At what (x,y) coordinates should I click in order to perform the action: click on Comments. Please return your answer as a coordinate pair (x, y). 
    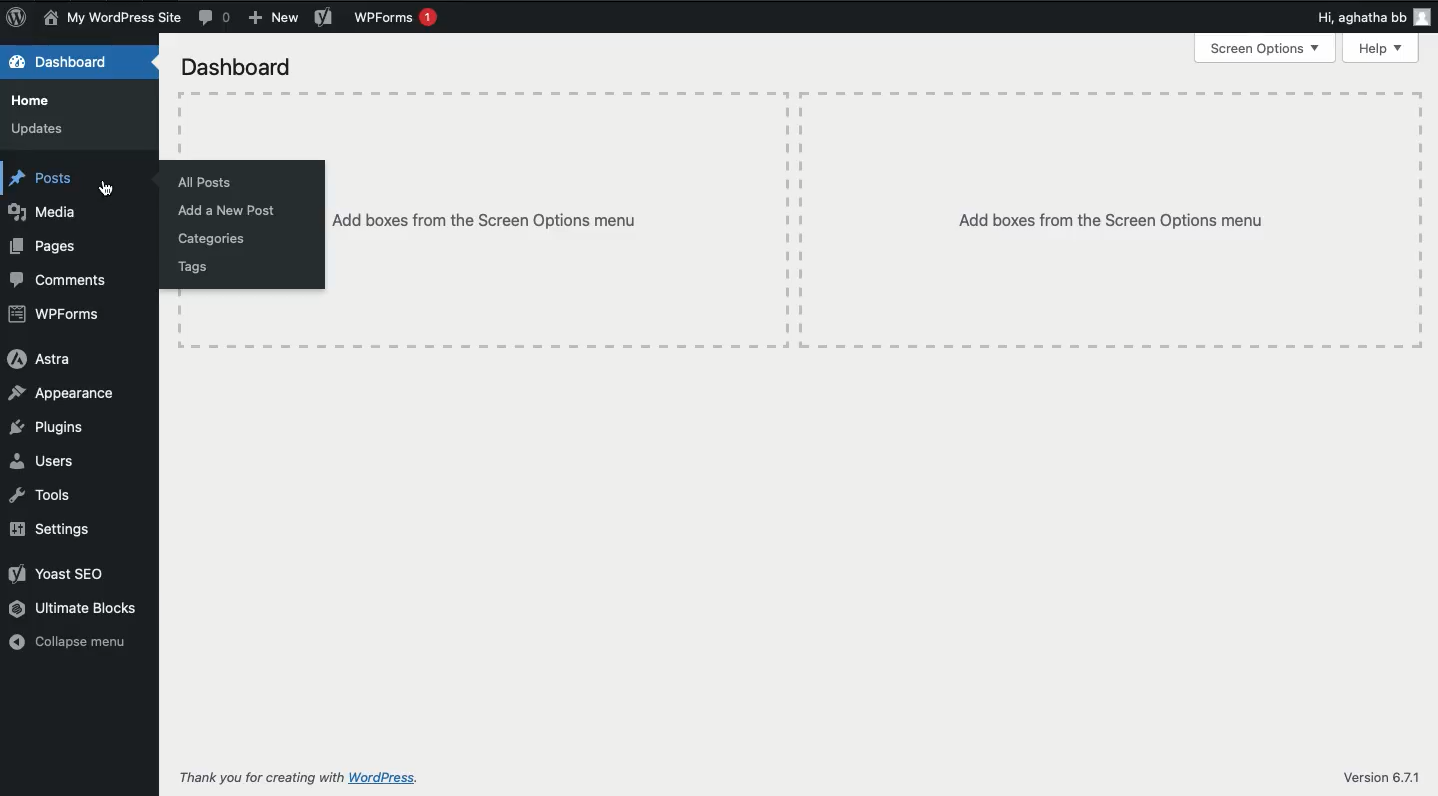
    Looking at the image, I should click on (217, 19).